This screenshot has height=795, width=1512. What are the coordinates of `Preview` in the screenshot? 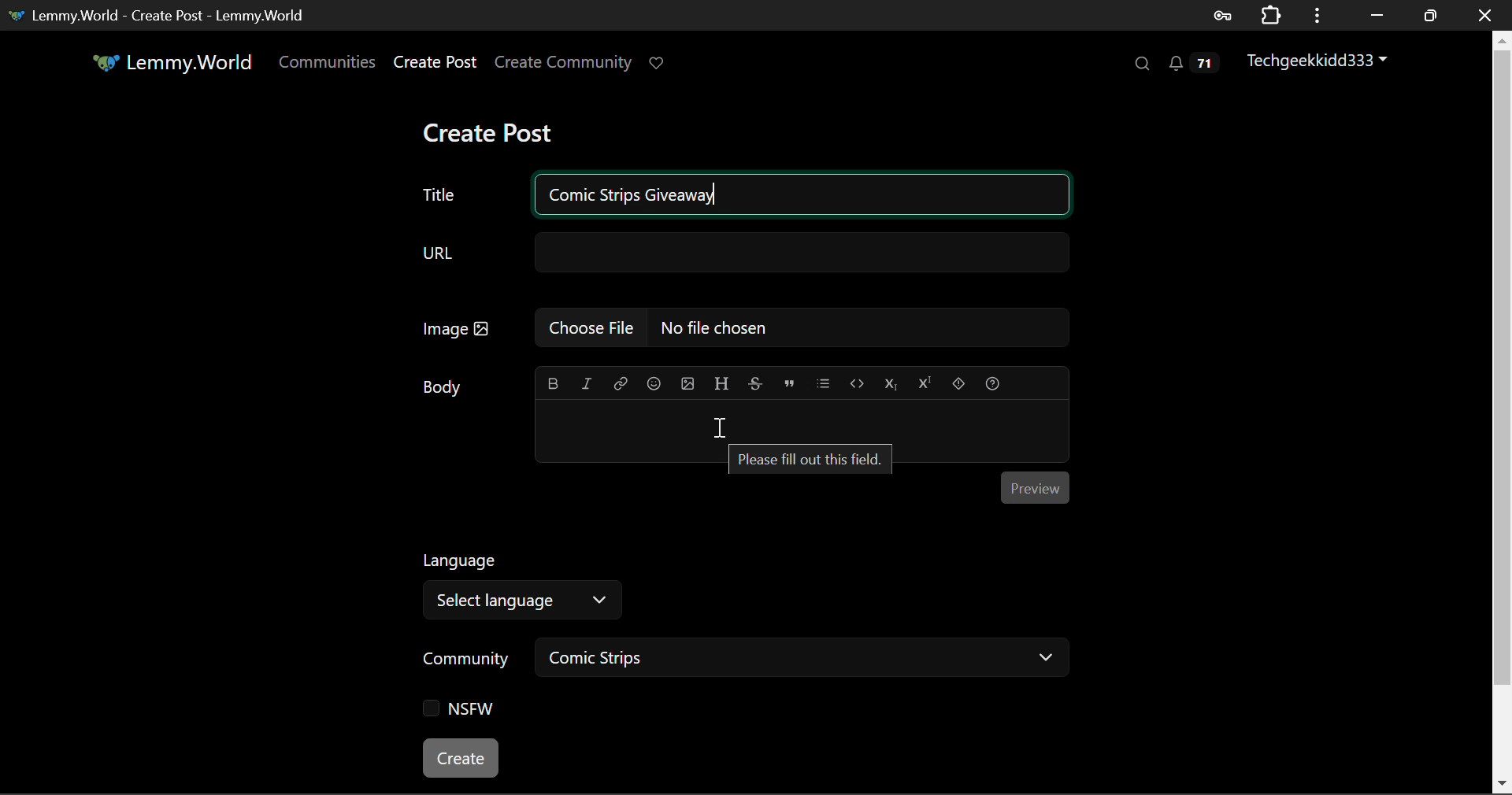 It's located at (1036, 485).